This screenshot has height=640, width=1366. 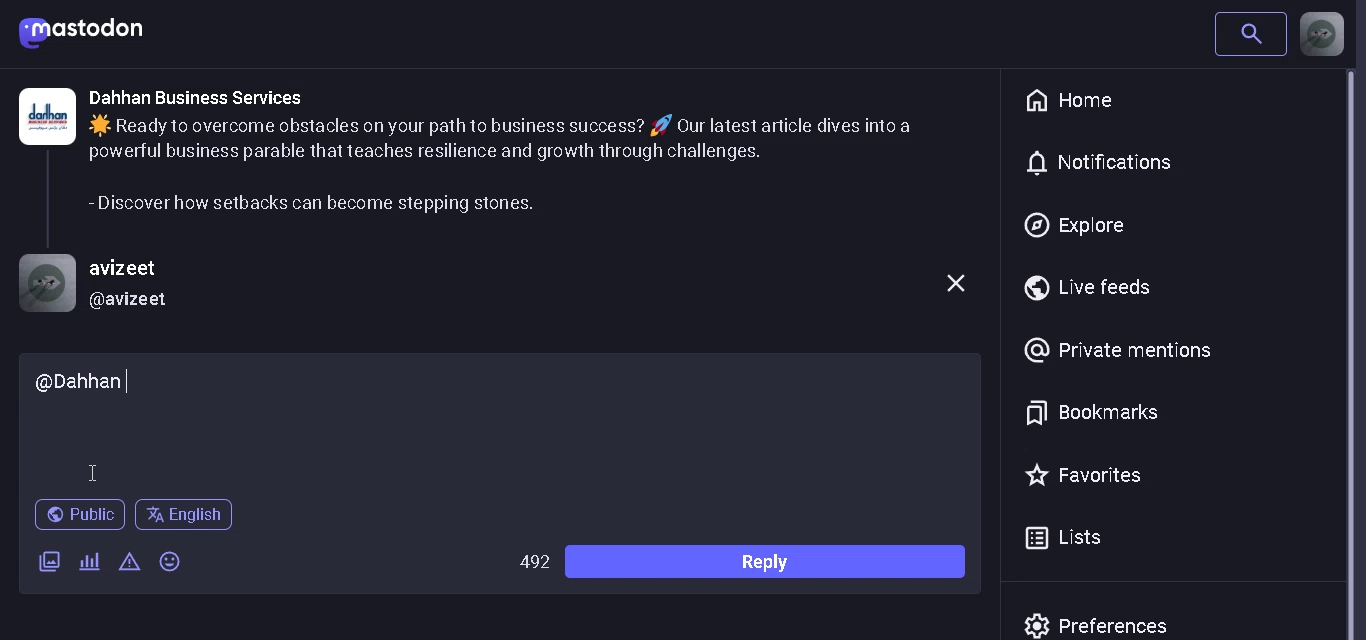 What do you see at coordinates (1249, 35) in the screenshot?
I see `search` at bounding box center [1249, 35].